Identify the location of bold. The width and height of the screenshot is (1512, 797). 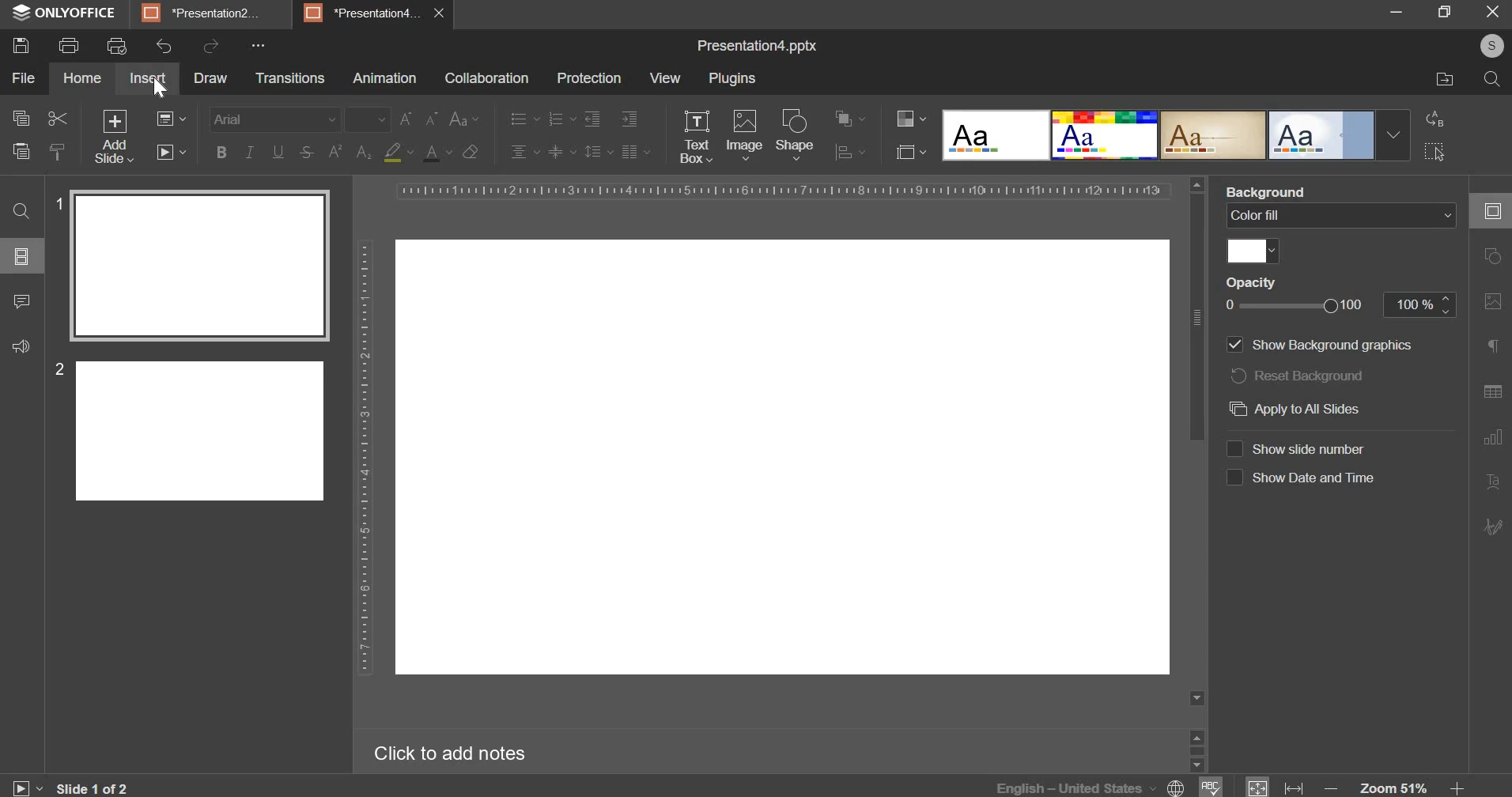
(221, 153).